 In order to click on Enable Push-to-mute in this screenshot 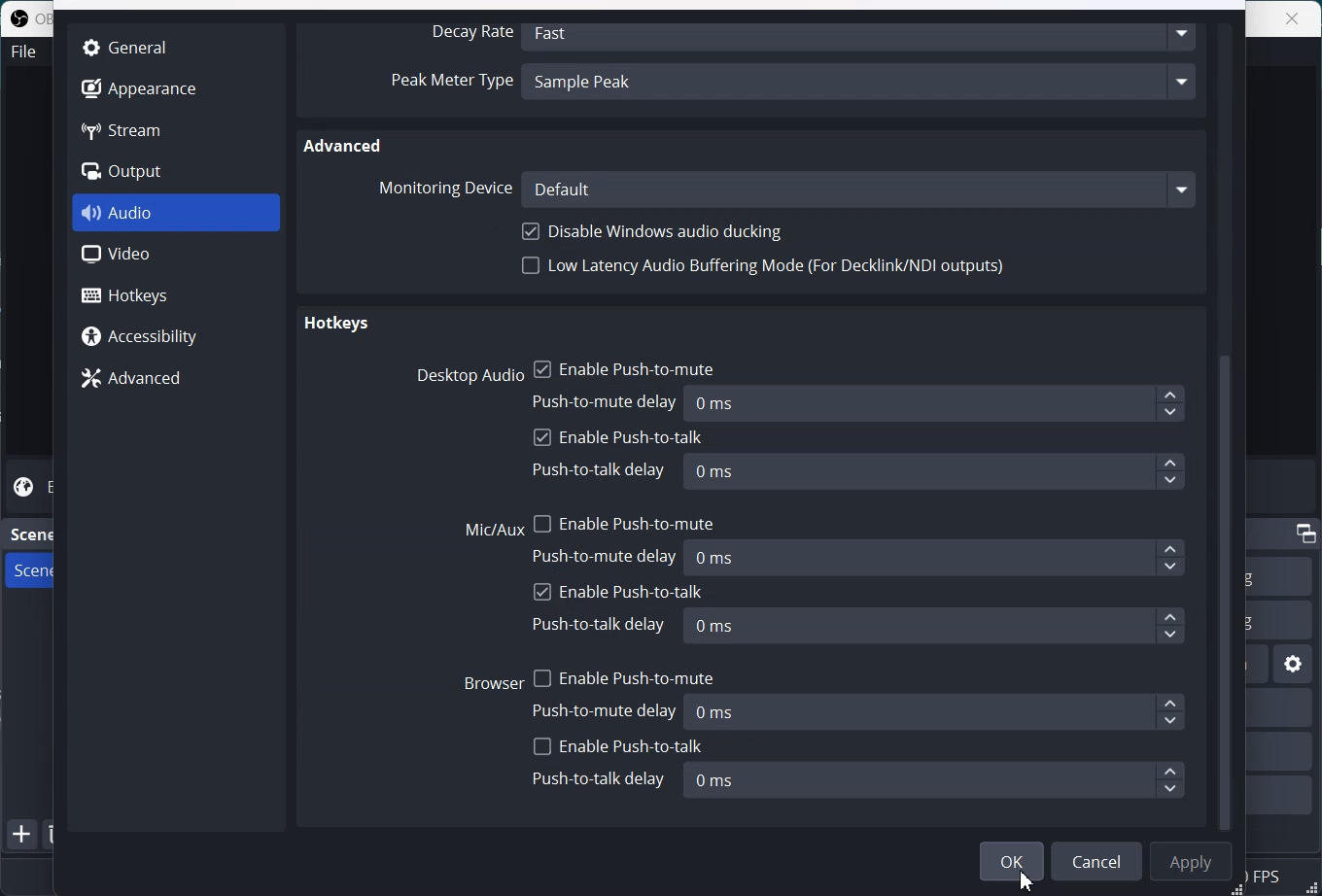, I will do `click(625, 520)`.